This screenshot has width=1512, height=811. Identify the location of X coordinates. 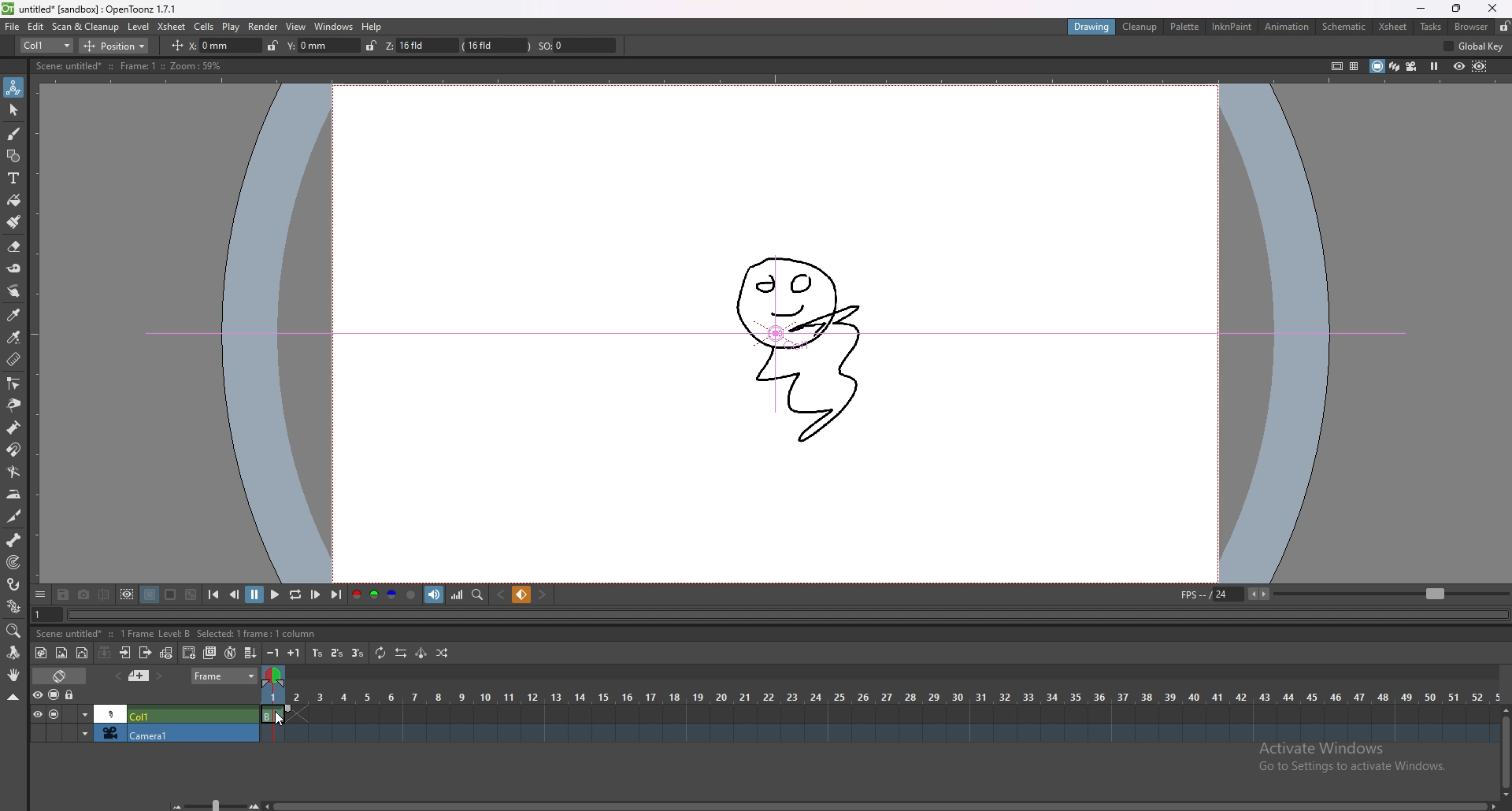
(203, 45).